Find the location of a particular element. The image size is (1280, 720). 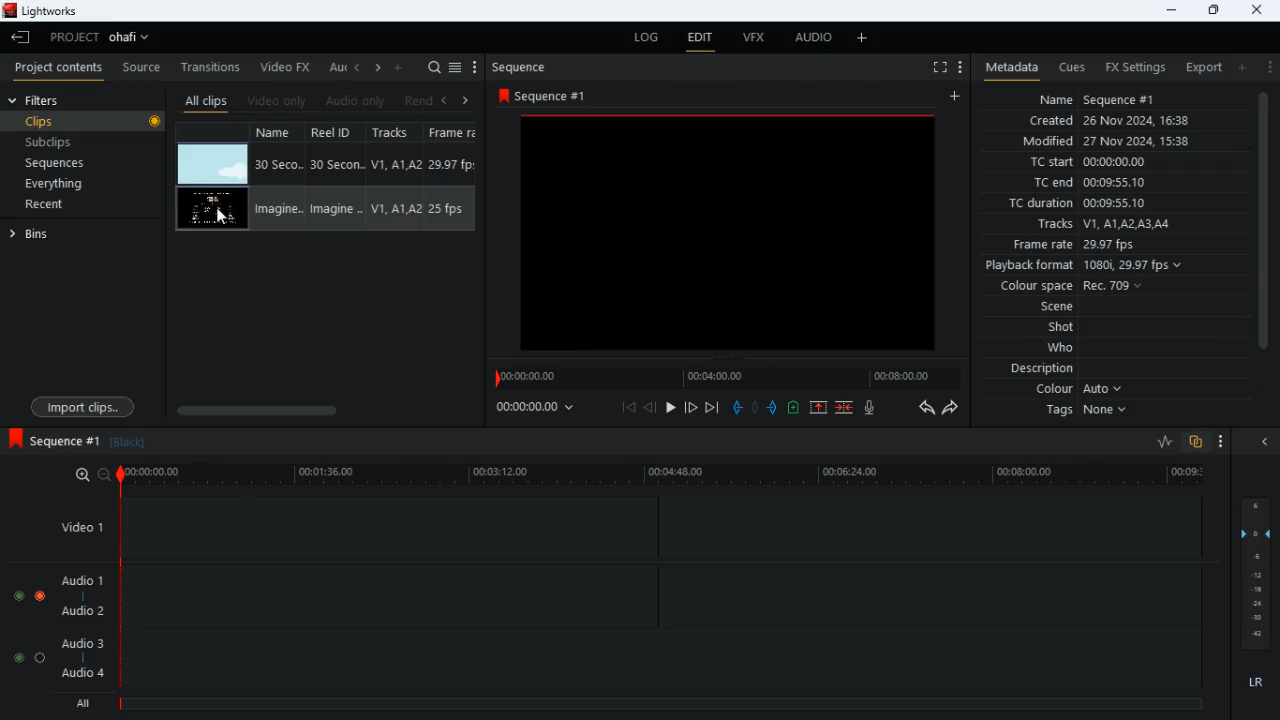

tc duration is located at coordinates (1075, 203).